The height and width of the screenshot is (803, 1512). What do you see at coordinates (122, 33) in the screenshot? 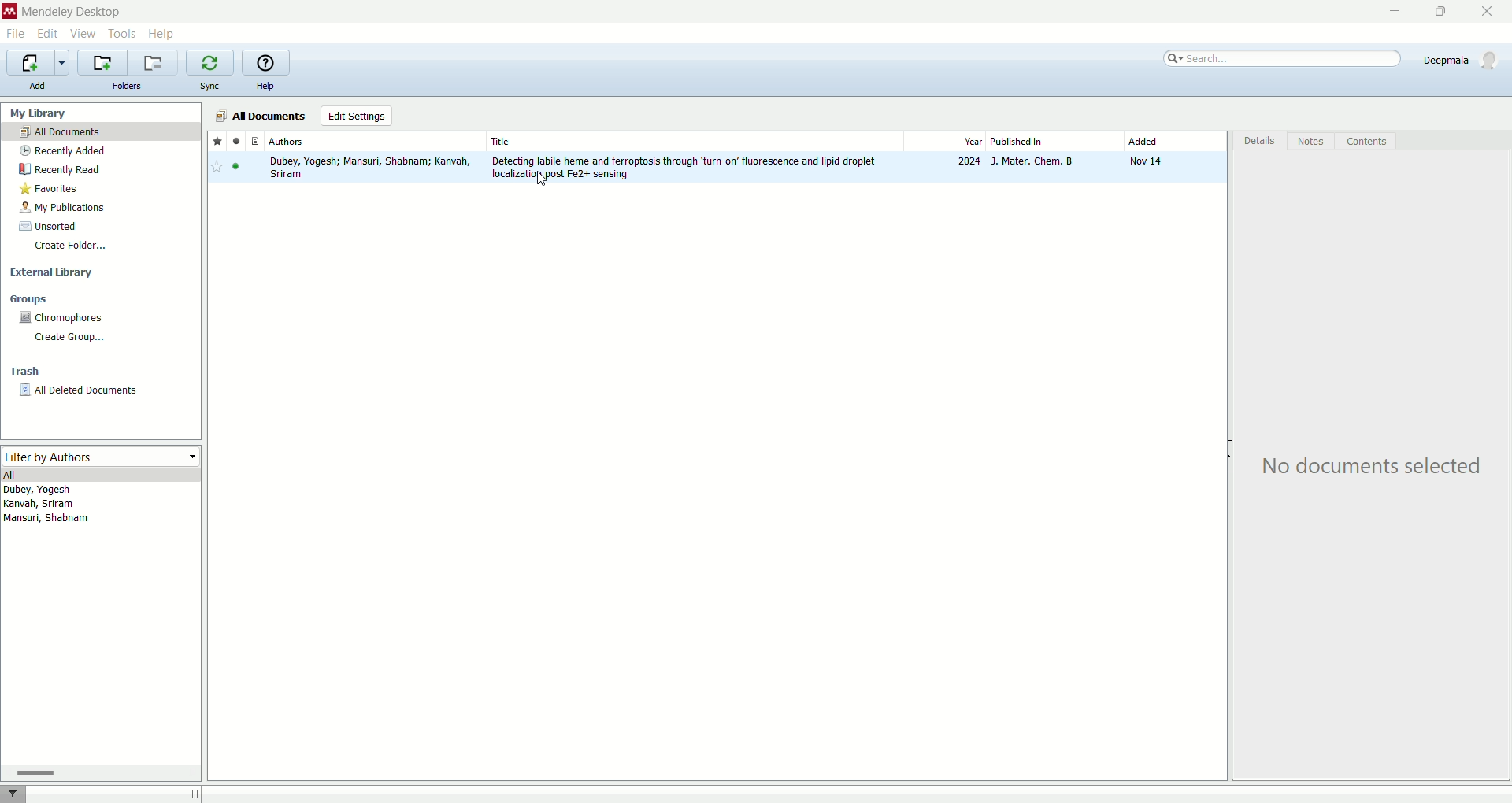
I see `tools` at bounding box center [122, 33].